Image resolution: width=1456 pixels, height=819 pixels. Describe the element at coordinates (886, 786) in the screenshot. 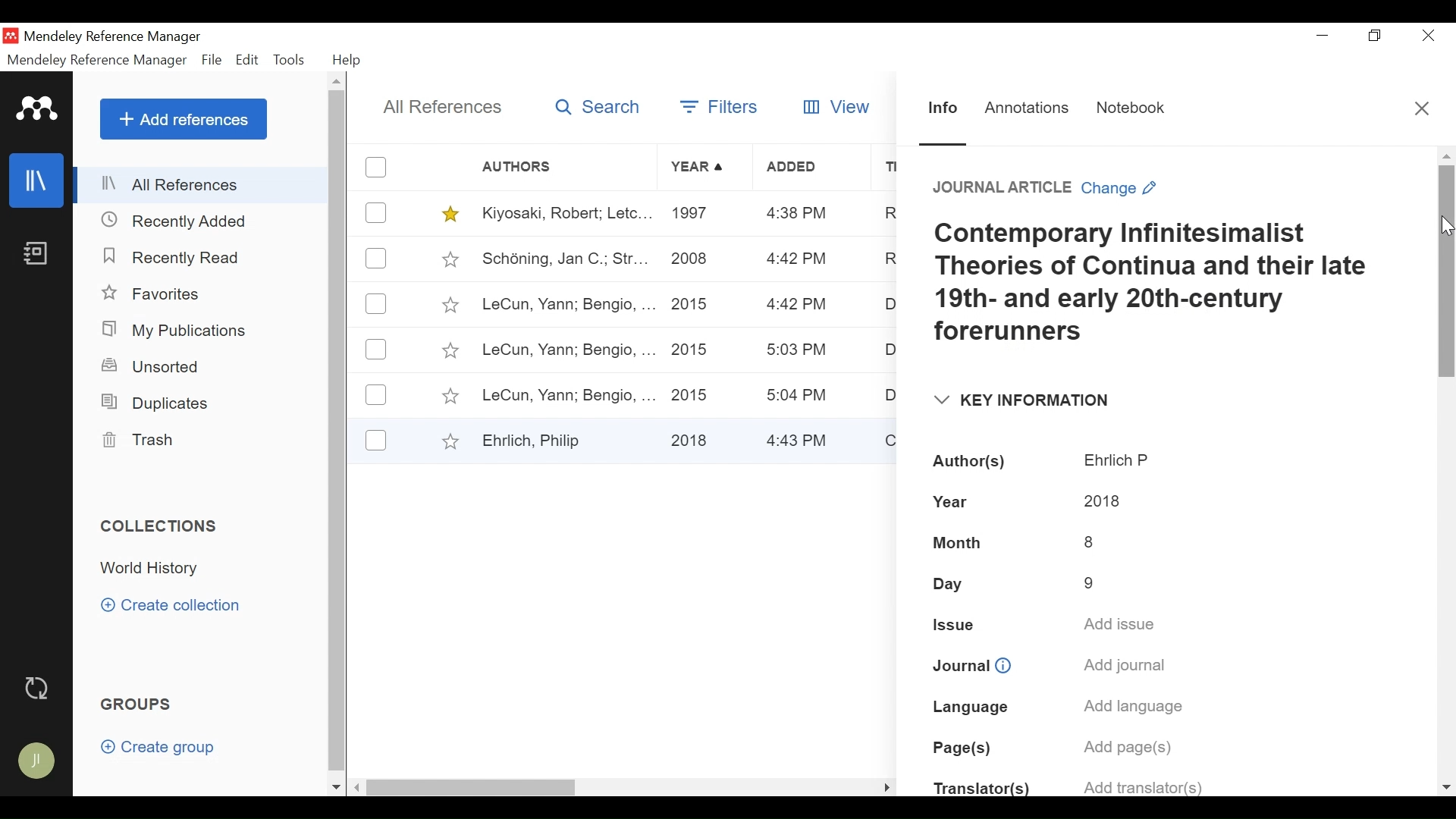

I see `scroll right` at that location.